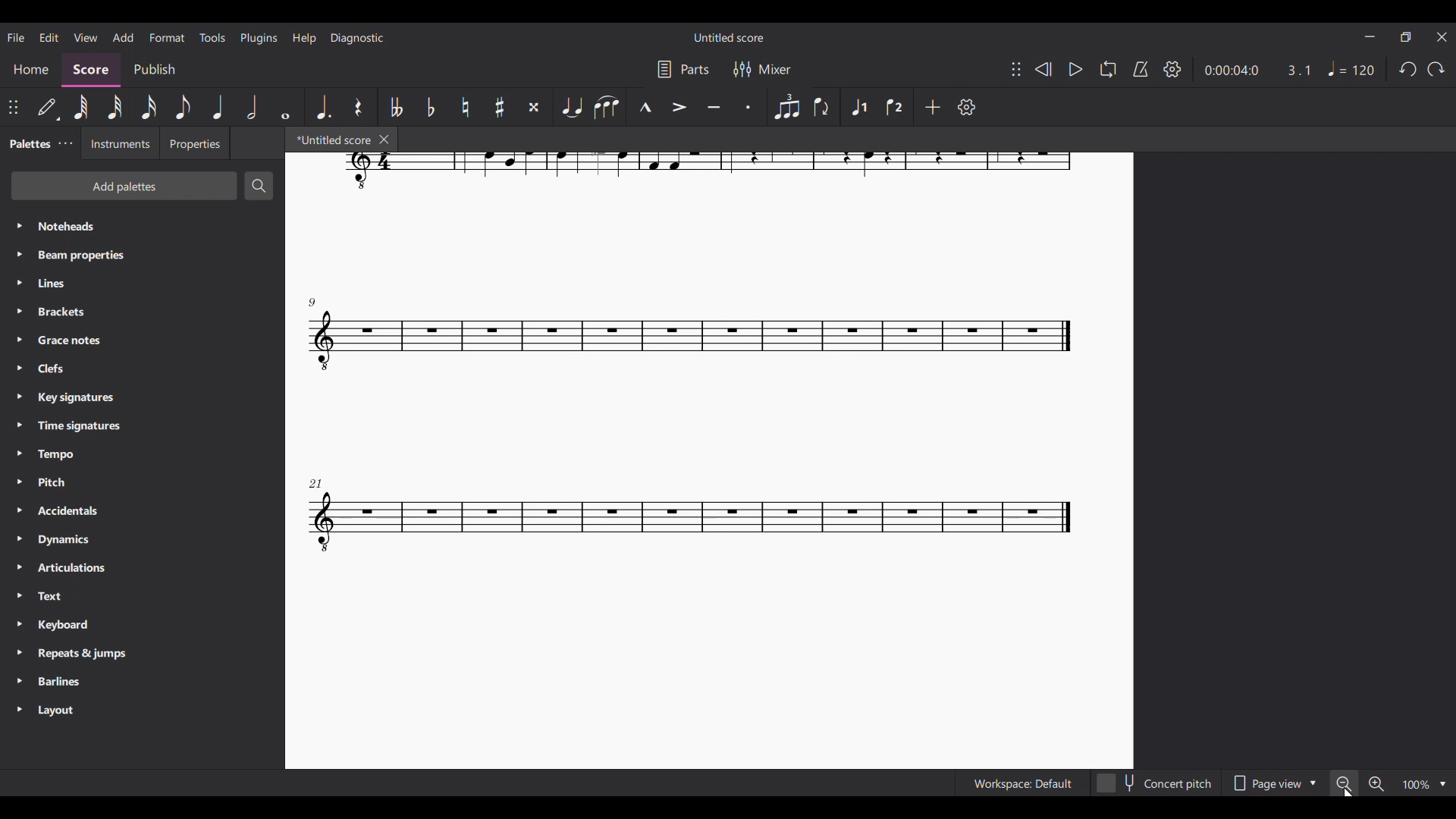 The width and height of the screenshot is (1456, 819). Describe the element at coordinates (466, 107) in the screenshot. I see `Toggle nnatural` at that location.